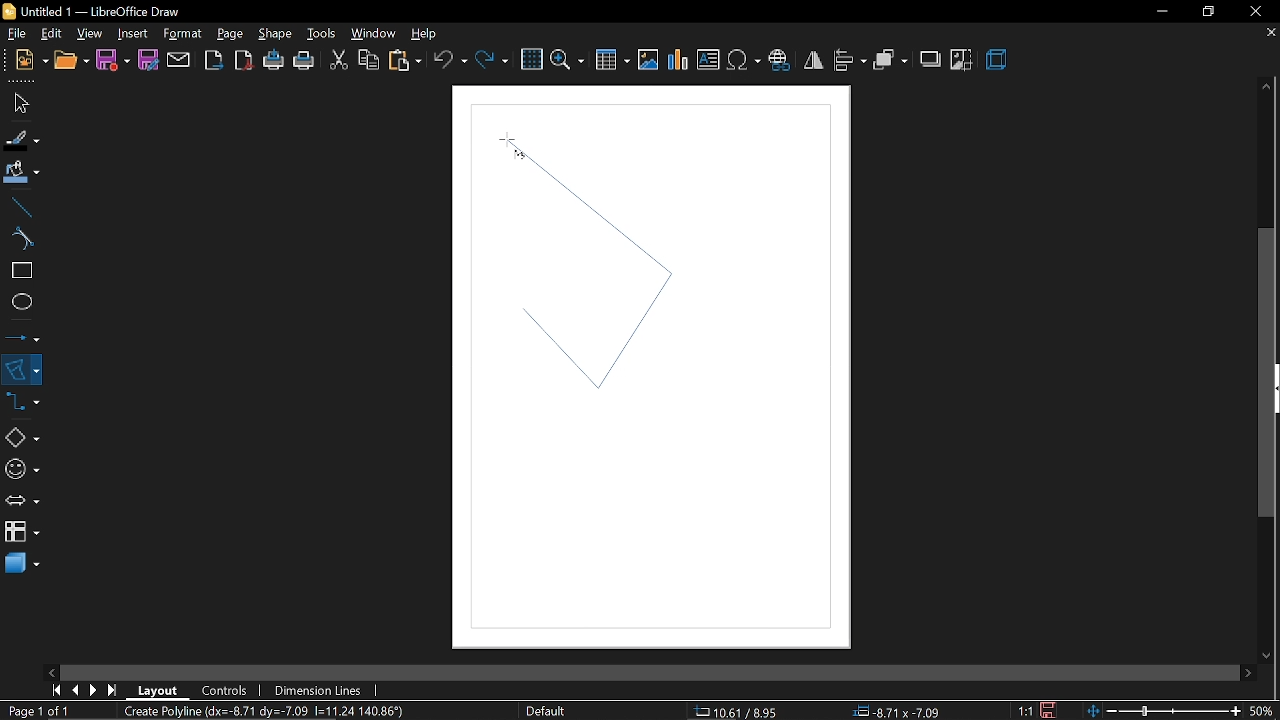  What do you see at coordinates (56, 690) in the screenshot?
I see `go first page` at bounding box center [56, 690].